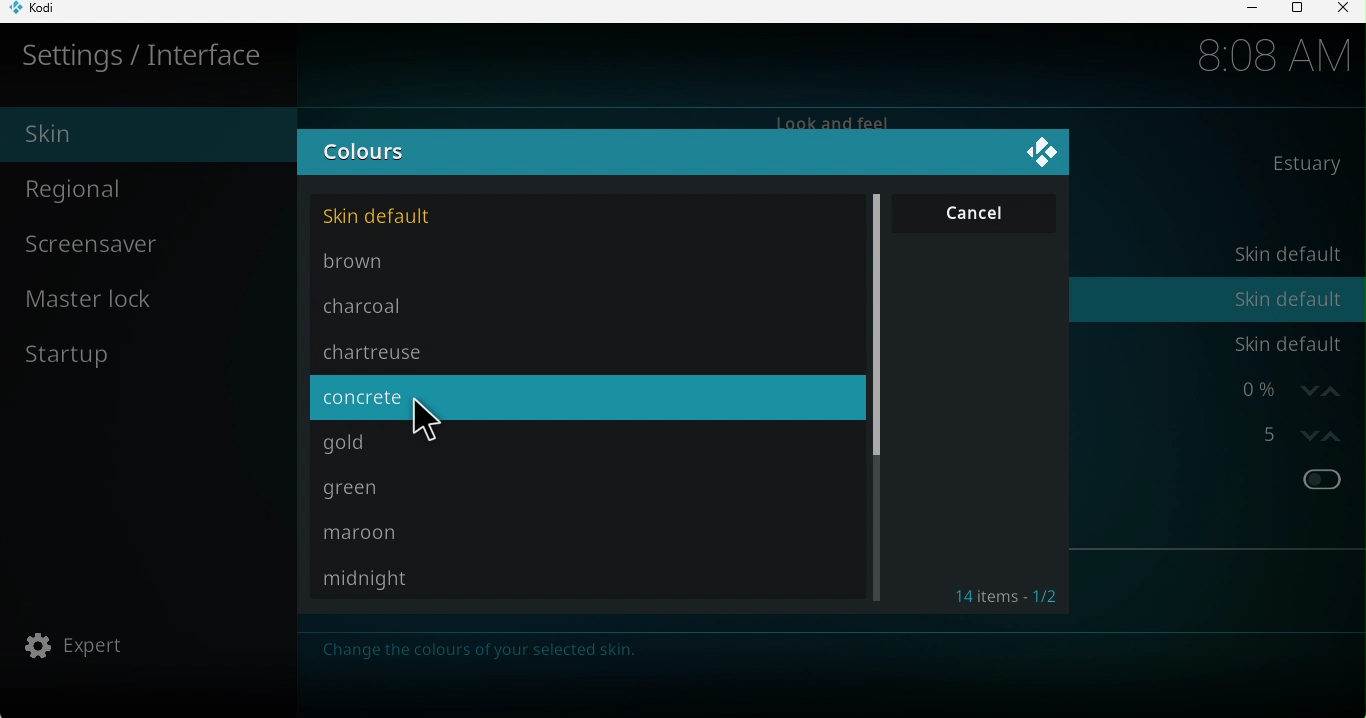 The image size is (1366, 718). Describe the element at coordinates (1004, 599) in the screenshot. I see `Items` at that location.